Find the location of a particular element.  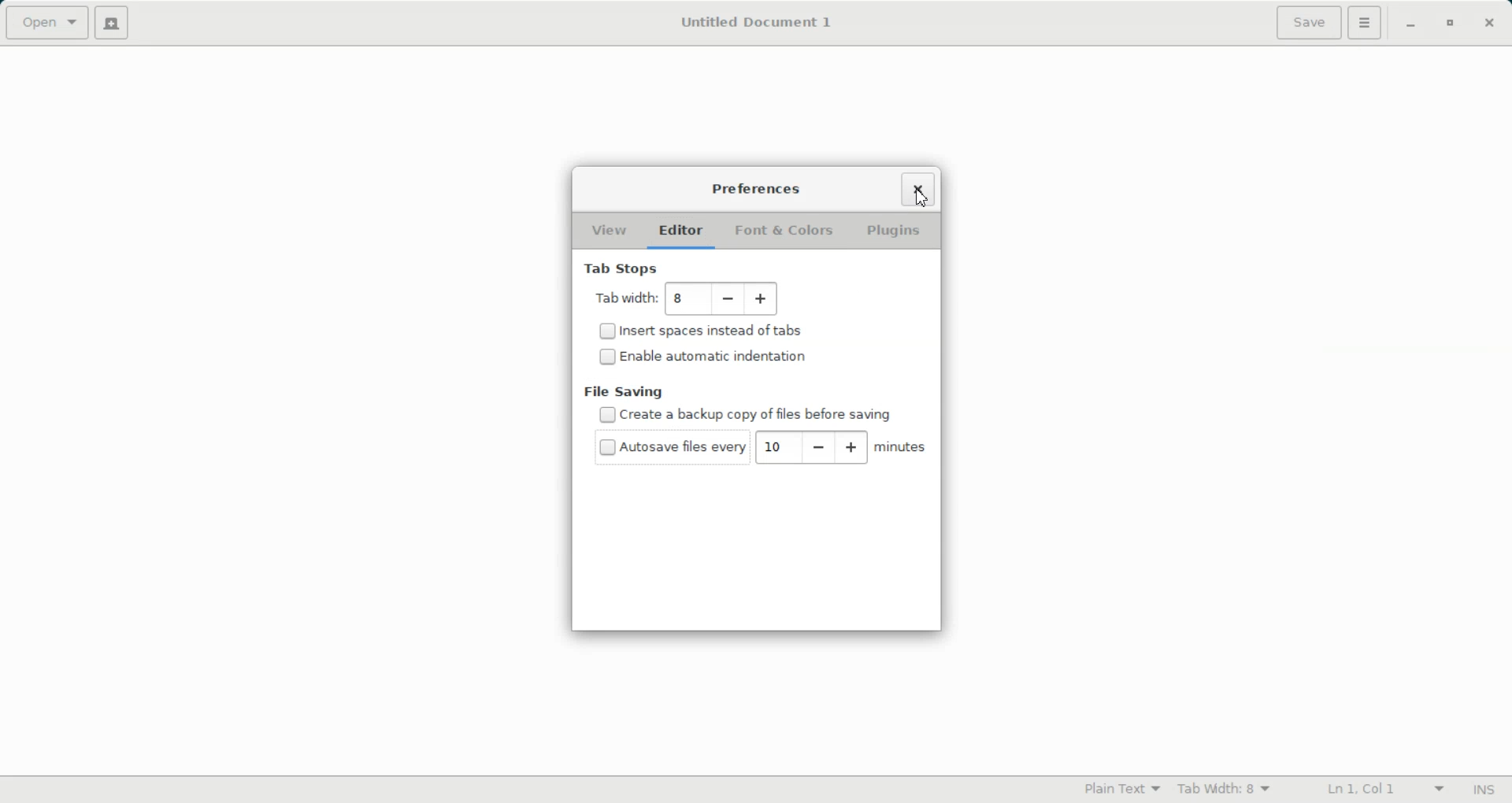

Minimize is located at coordinates (1411, 24).